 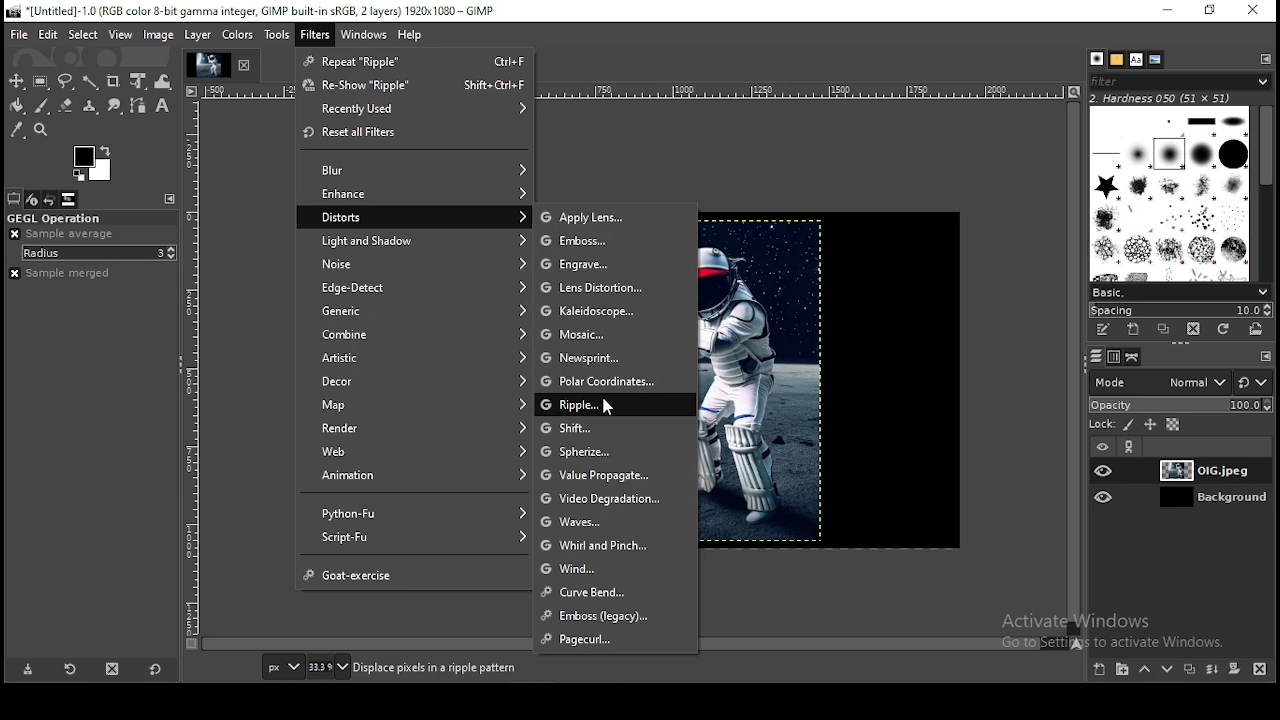 I want to click on move tool, so click(x=18, y=82).